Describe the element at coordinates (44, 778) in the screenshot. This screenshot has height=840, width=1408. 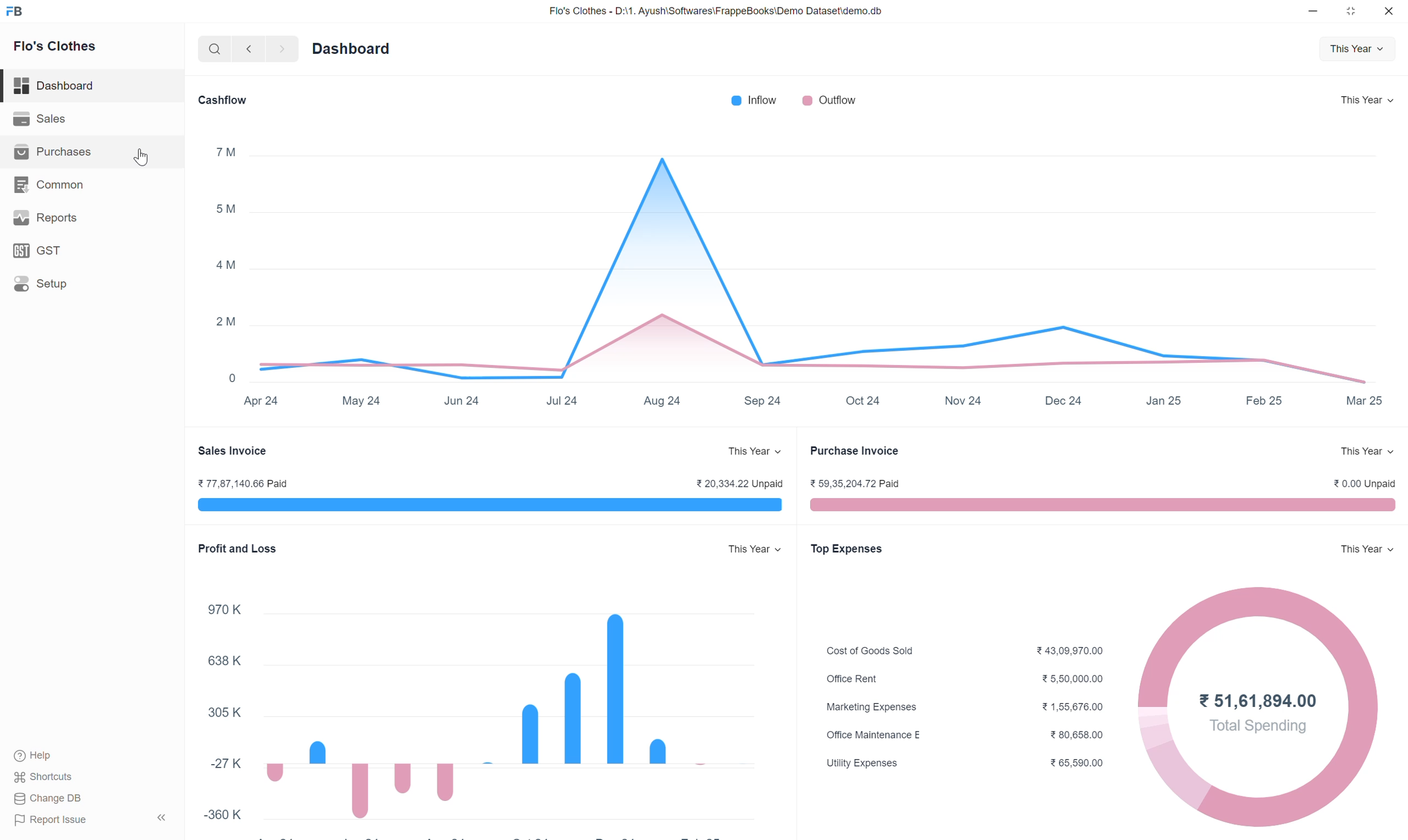
I see `shortcuts` at that location.